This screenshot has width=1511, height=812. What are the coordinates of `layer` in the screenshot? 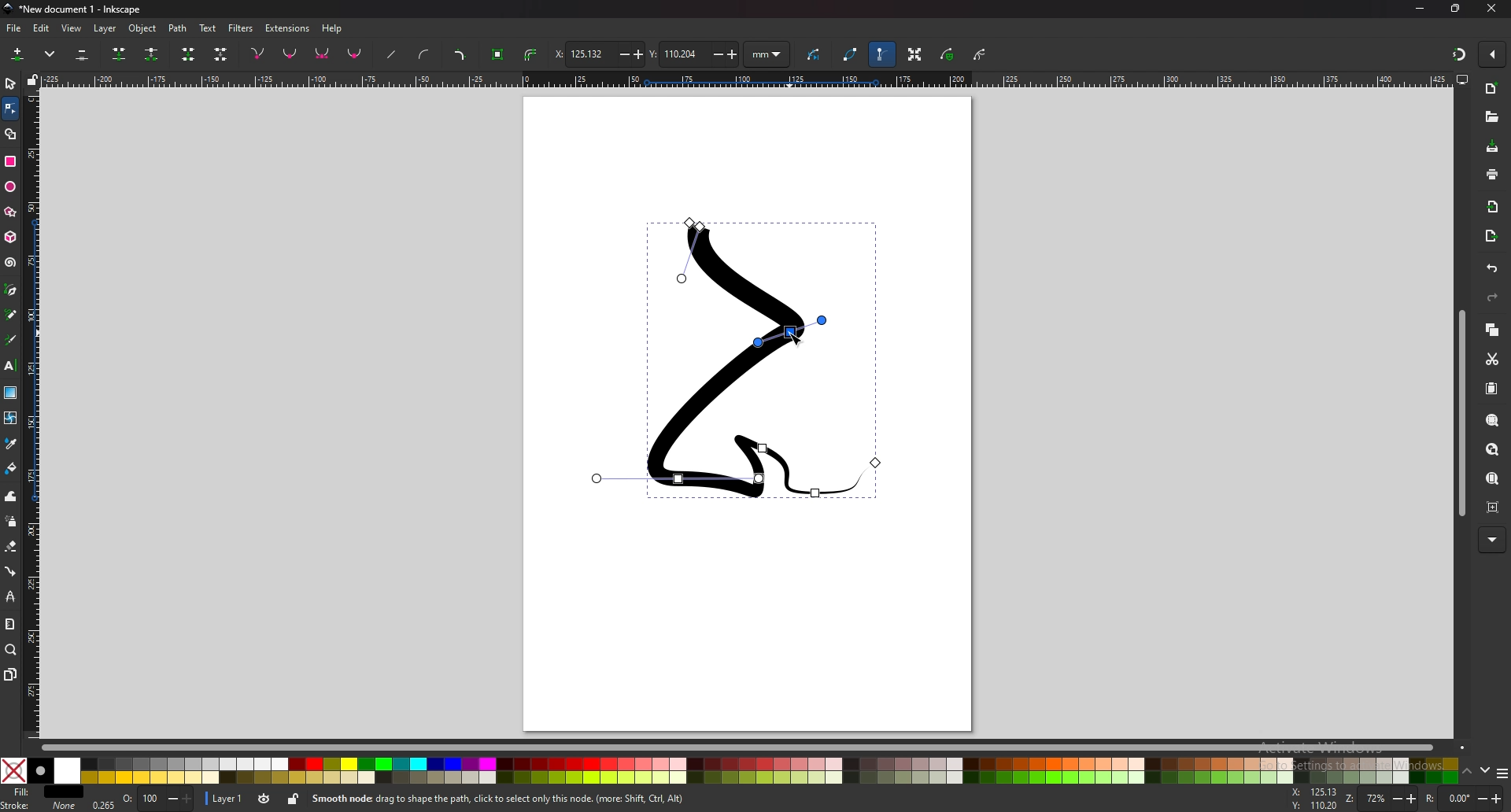 It's located at (107, 28).